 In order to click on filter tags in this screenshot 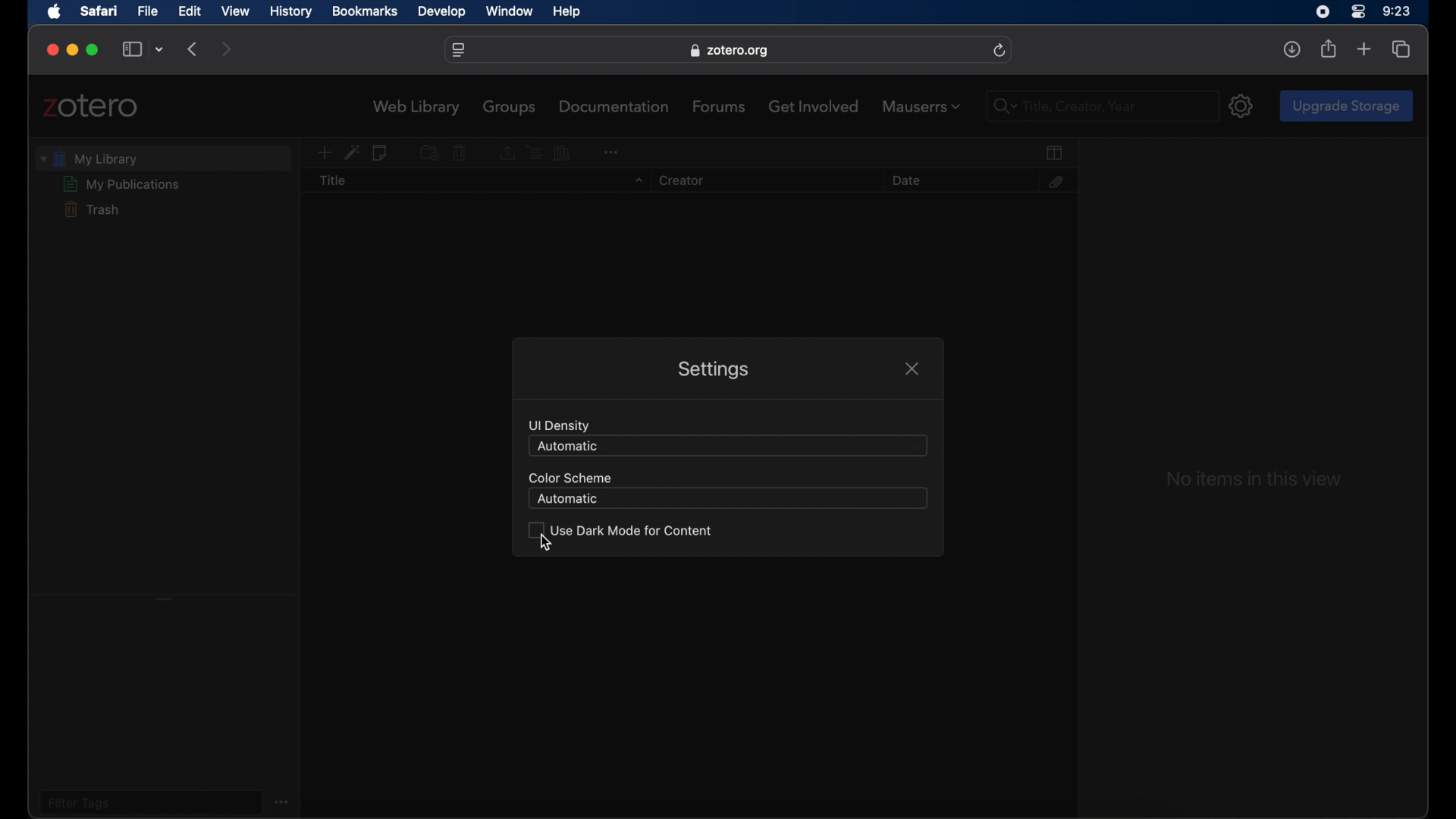, I will do `click(79, 802)`.